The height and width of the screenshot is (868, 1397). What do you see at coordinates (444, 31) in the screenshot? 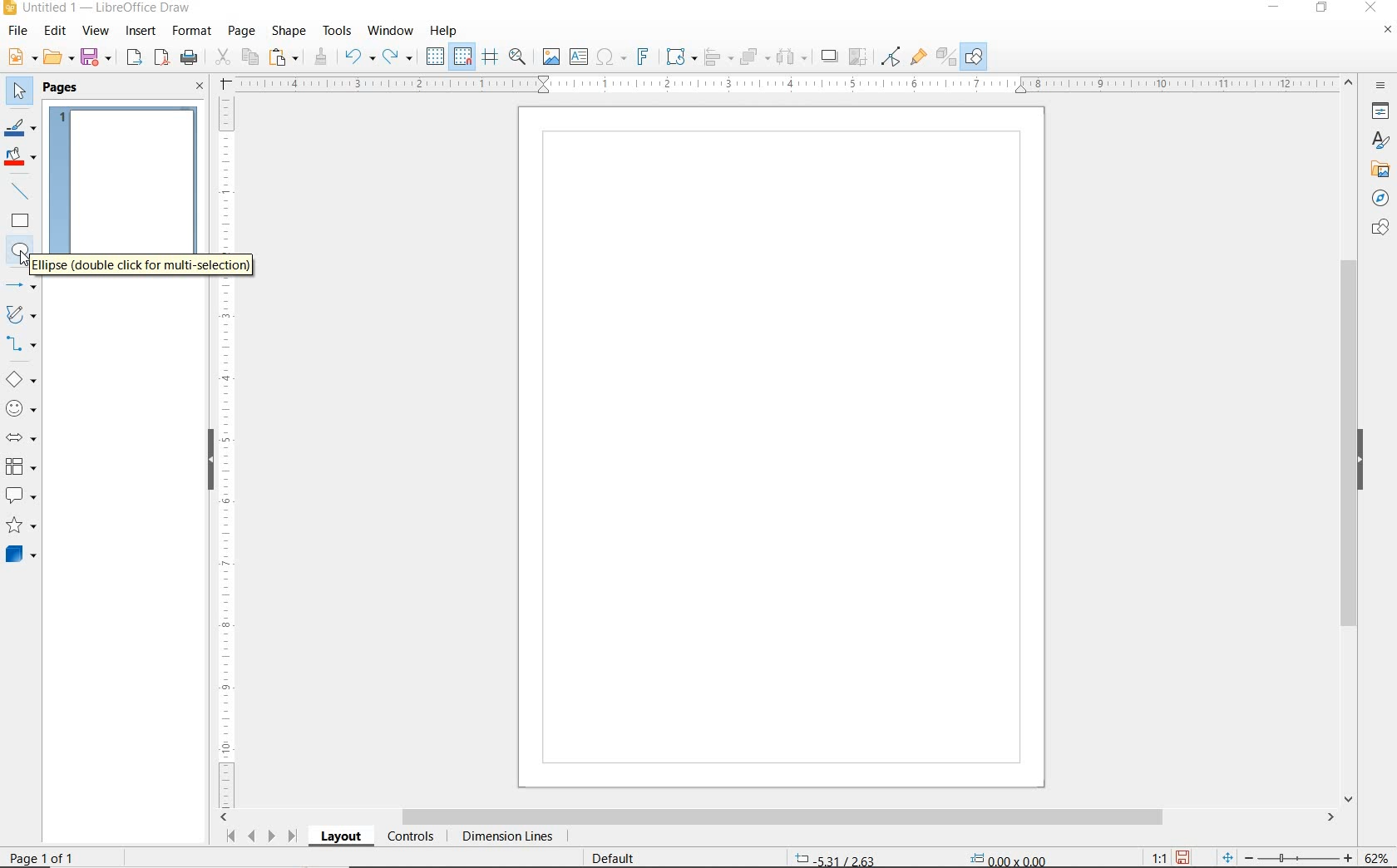
I see `HELP` at bounding box center [444, 31].